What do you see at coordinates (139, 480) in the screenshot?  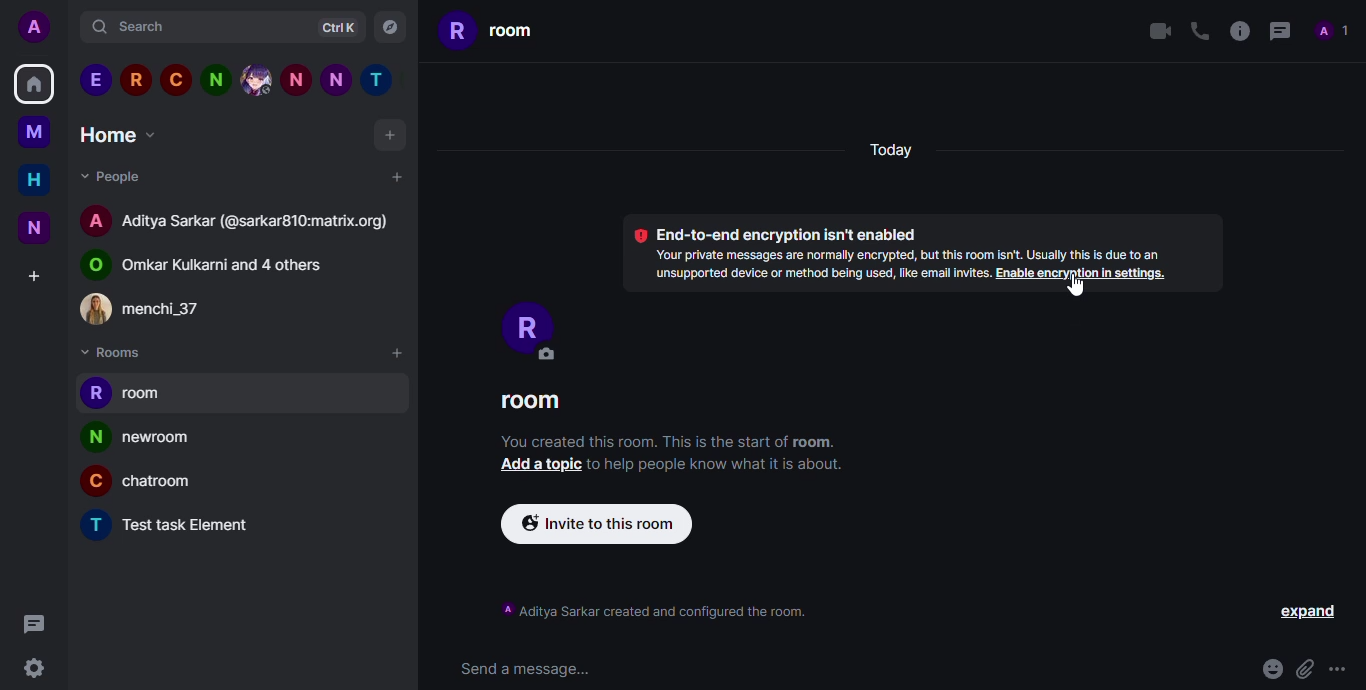 I see `chatroom` at bounding box center [139, 480].